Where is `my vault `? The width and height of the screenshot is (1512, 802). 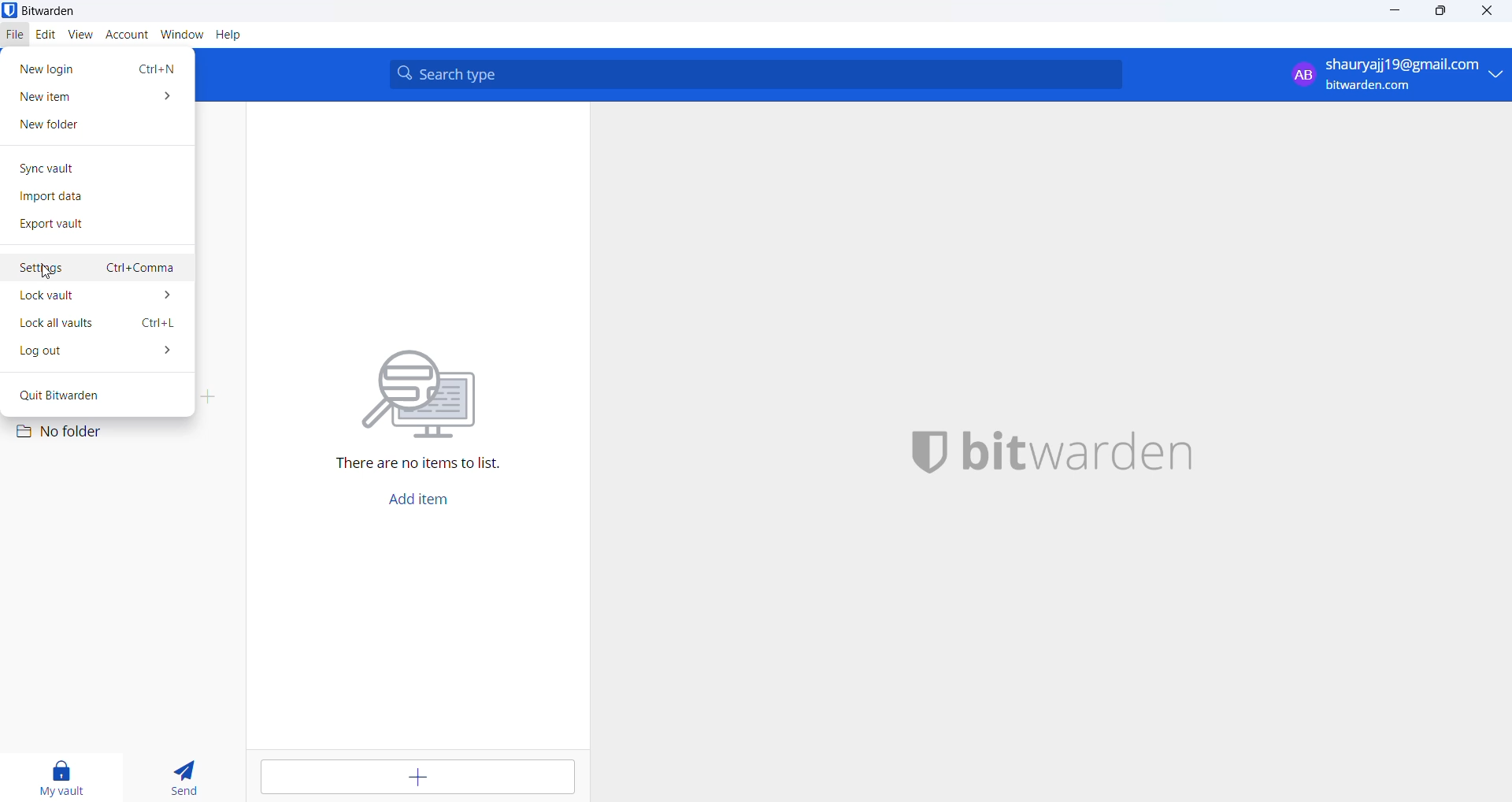 my vault  is located at coordinates (63, 779).